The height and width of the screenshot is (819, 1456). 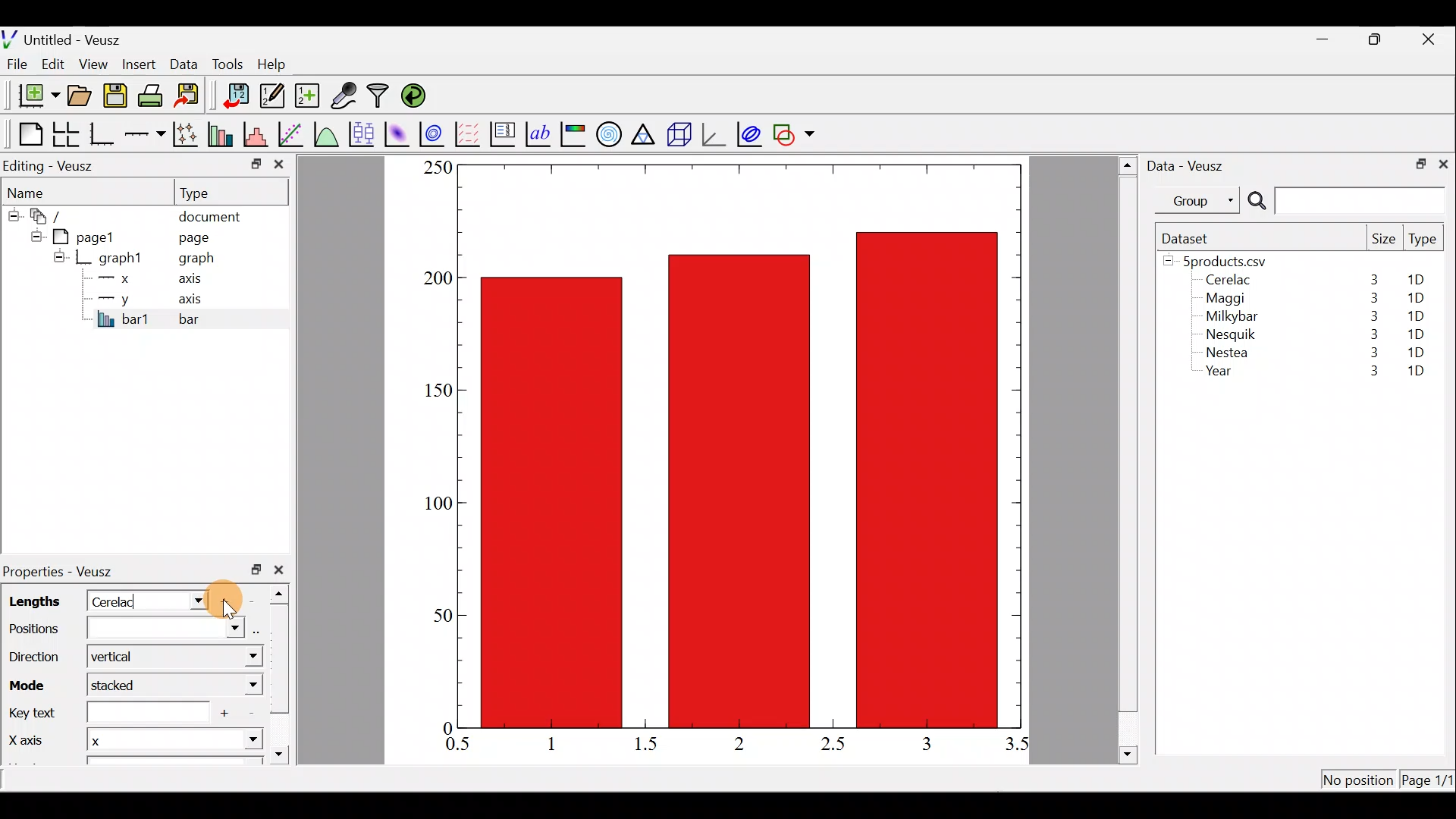 What do you see at coordinates (255, 163) in the screenshot?
I see `minimize` at bounding box center [255, 163].